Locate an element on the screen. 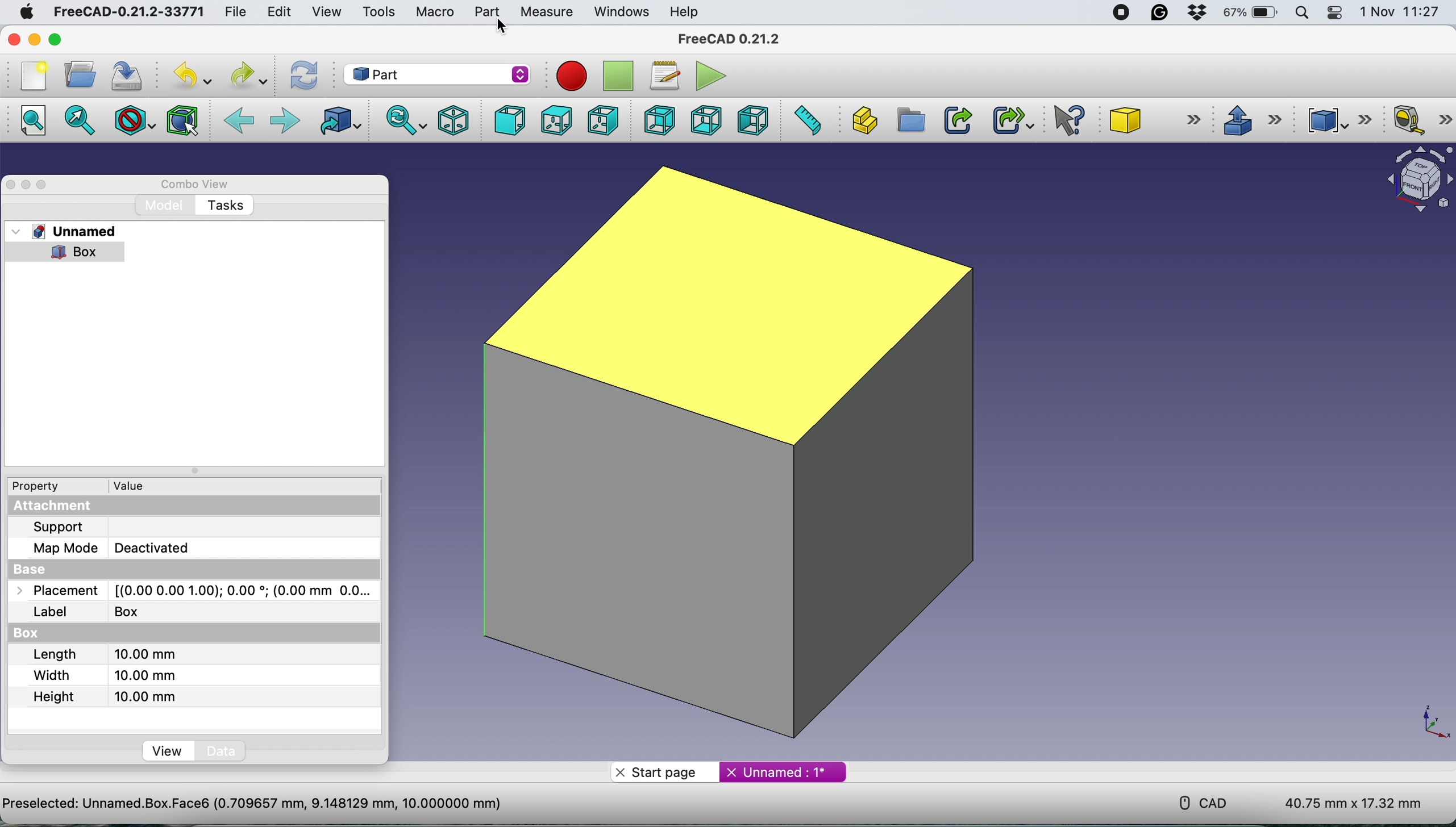 Image resolution: width=1456 pixels, height=827 pixels. dropbox is located at coordinates (1201, 12).